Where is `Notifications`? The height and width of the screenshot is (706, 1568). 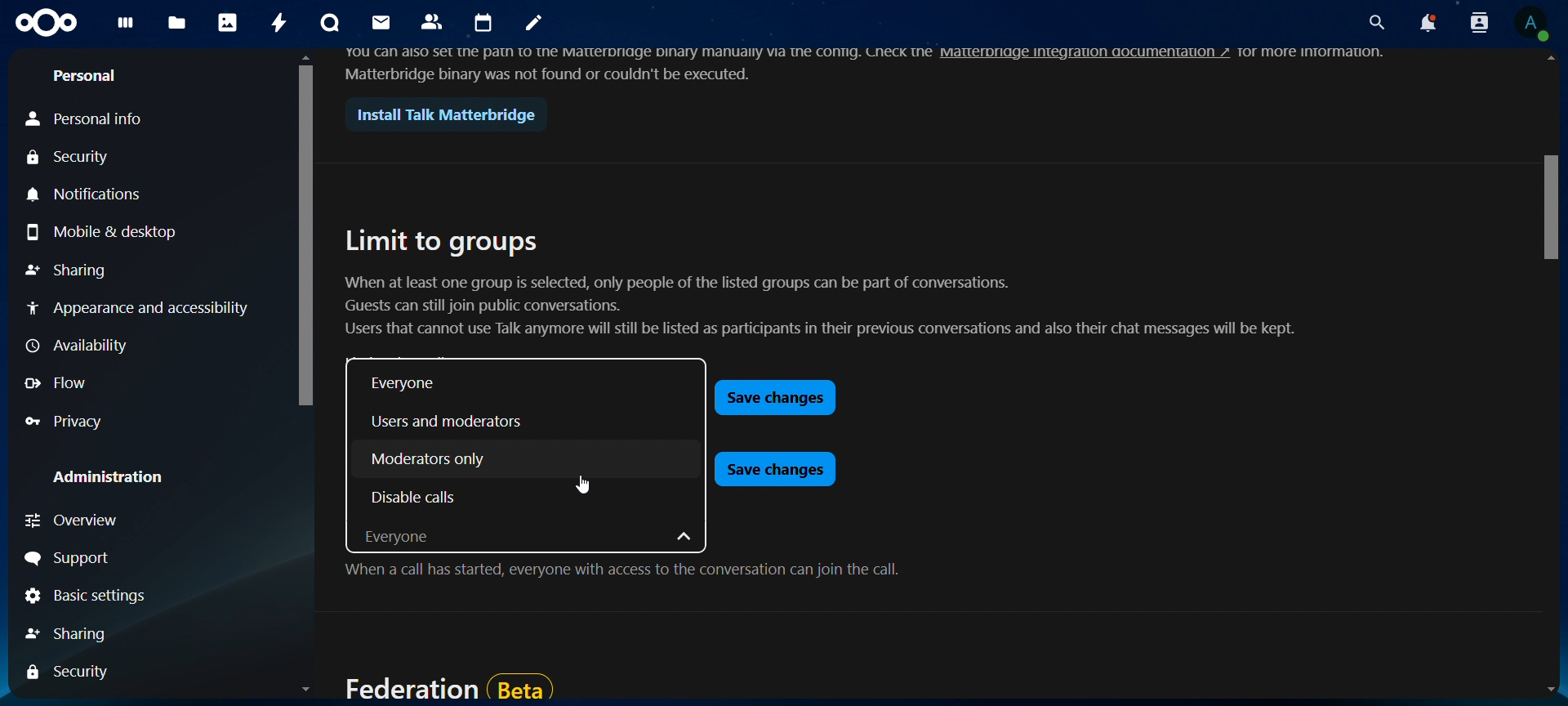
Notifications is located at coordinates (135, 197).